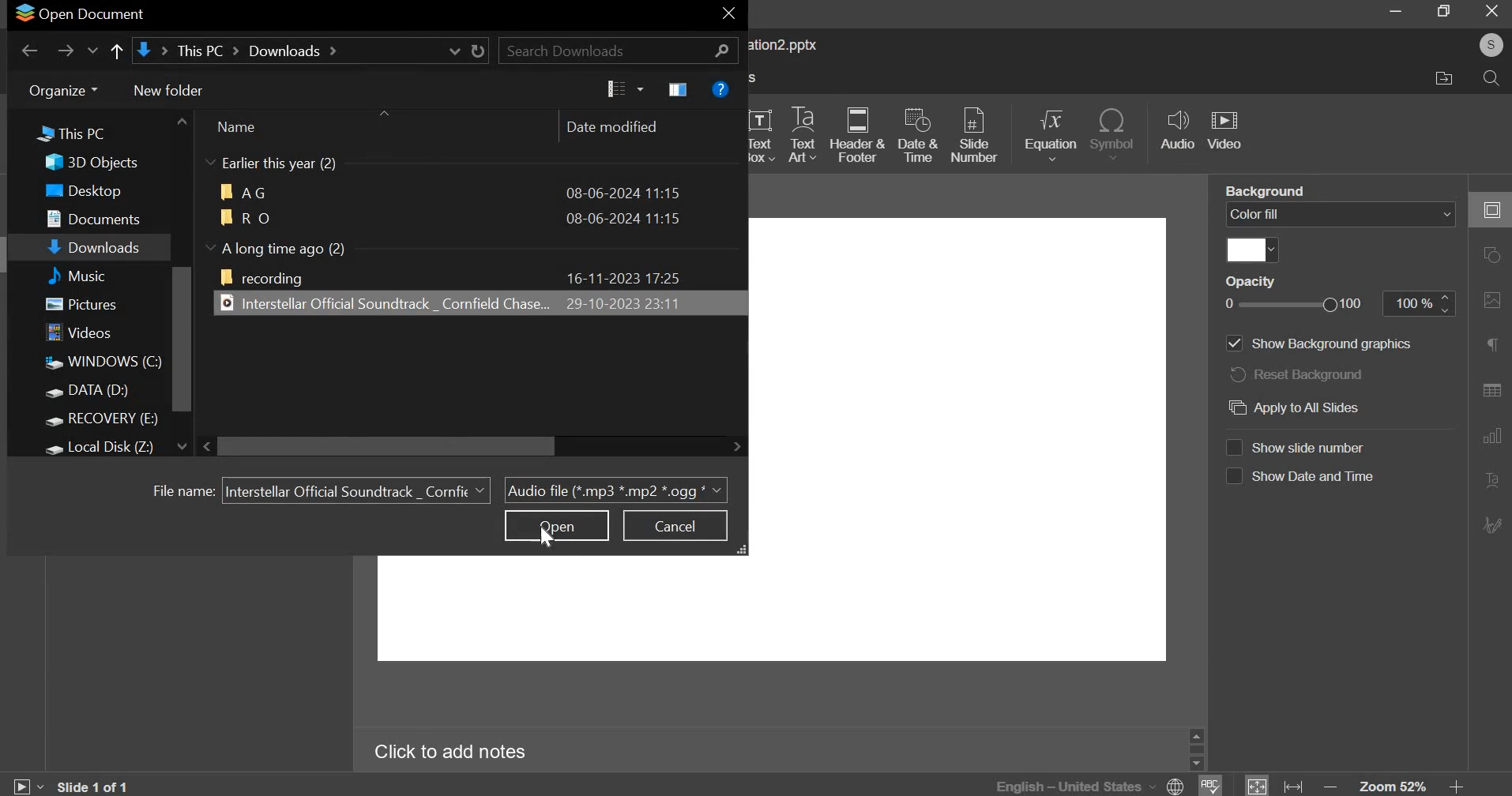  What do you see at coordinates (101, 419) in the screenshot?
I see `RECOVERY (E:)` at bounding box center [101, 419].